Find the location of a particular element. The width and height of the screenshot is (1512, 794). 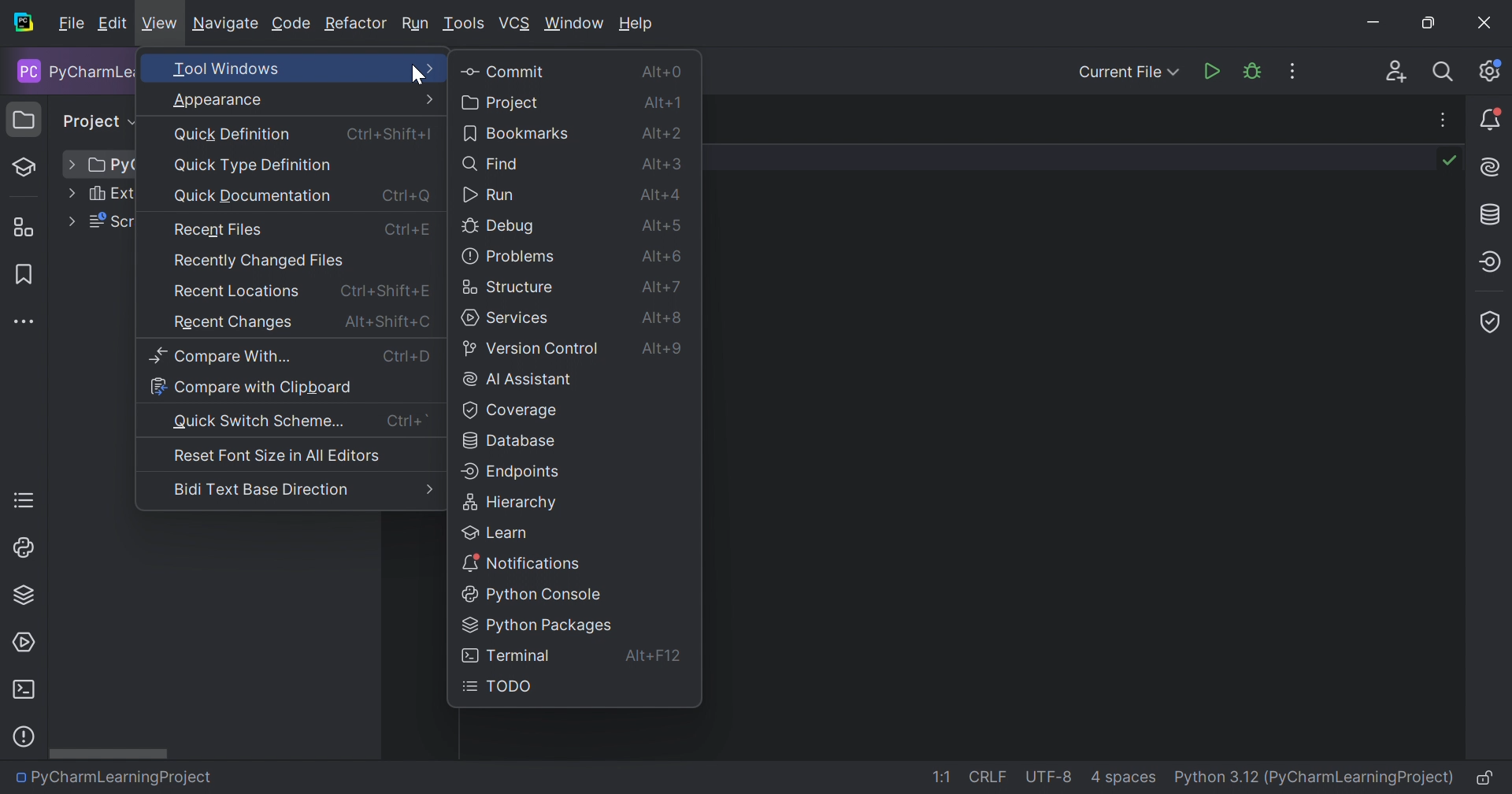

Commit is located at coordinates (502, 70).